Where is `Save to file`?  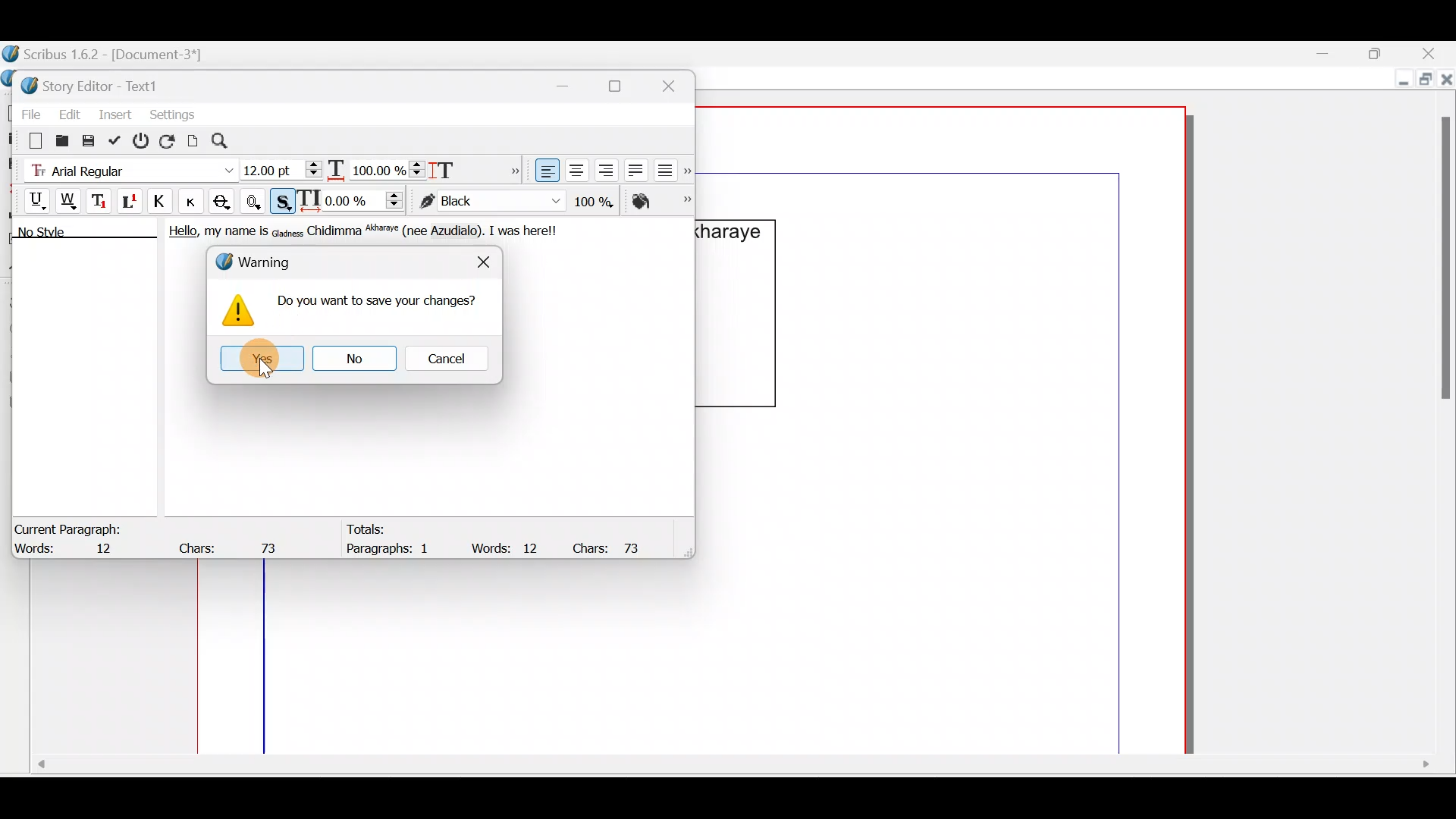 Save to file is located at coordinates (89, 140).